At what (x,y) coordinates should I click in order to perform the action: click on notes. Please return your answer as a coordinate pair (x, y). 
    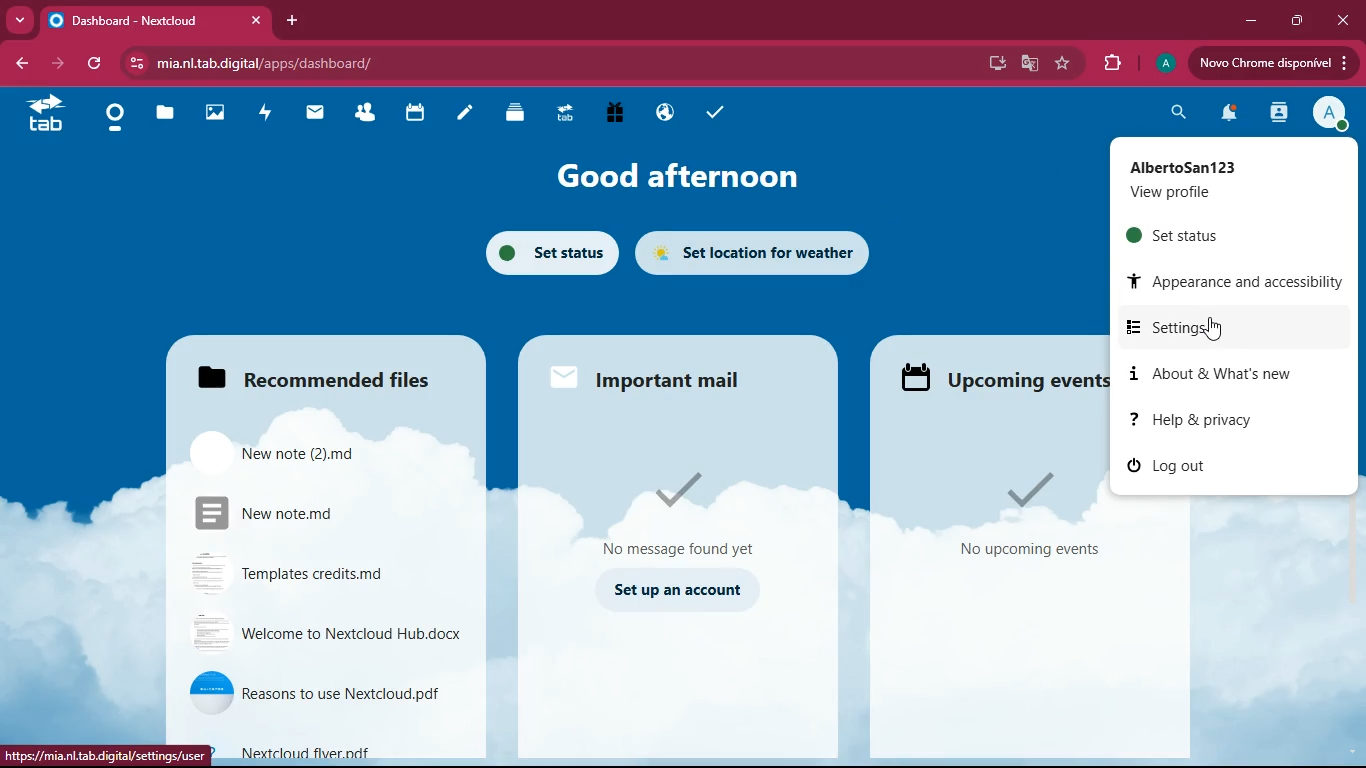
    Looking at the image, I should click on (458, 115).